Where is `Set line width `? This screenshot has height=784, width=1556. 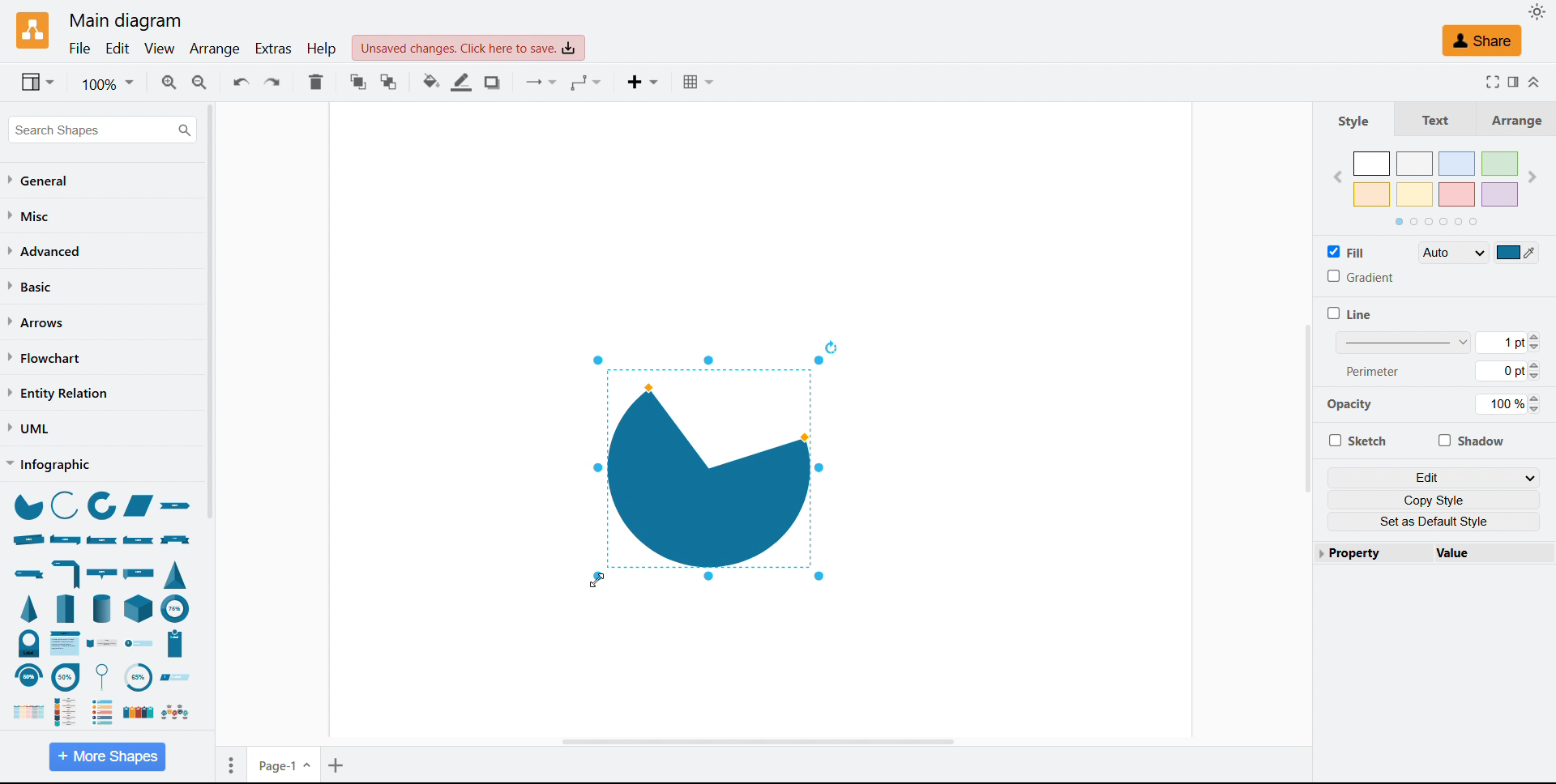 Set line width  is located at coordinates (1438, 342).